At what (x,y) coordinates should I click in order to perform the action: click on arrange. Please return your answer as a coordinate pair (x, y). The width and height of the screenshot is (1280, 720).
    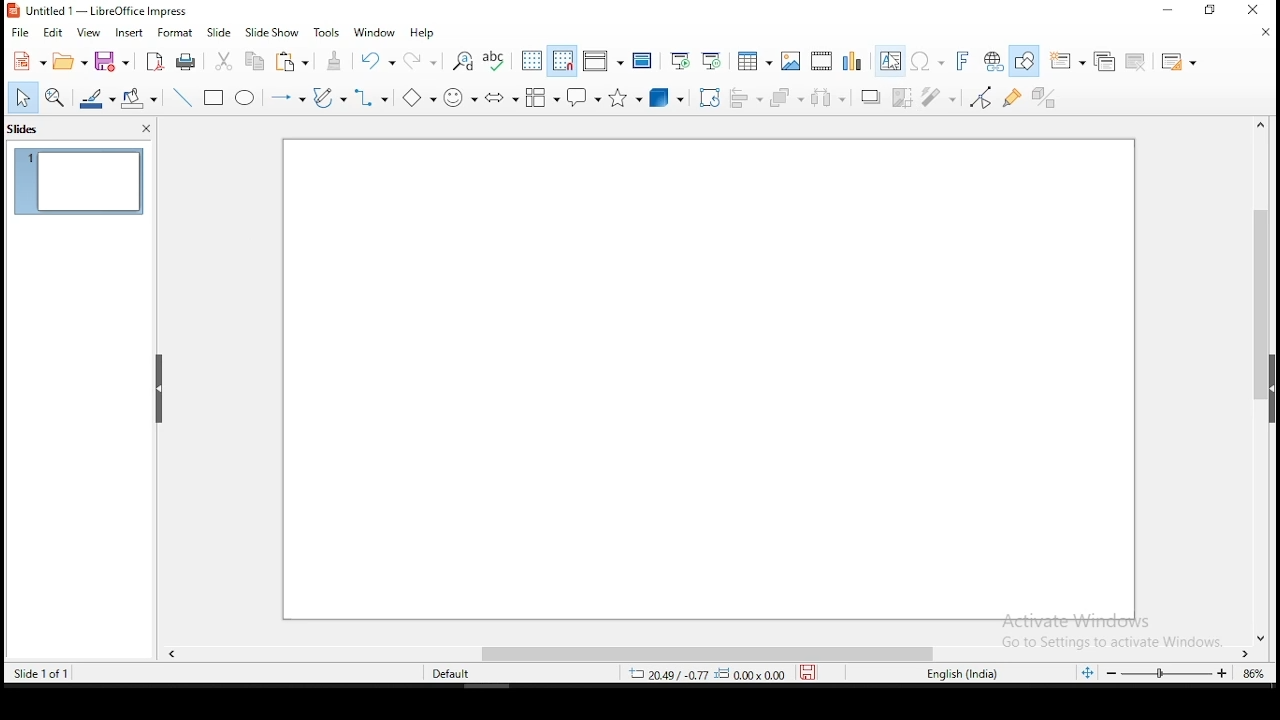
    Looking at the image, I should click on (786, 98).